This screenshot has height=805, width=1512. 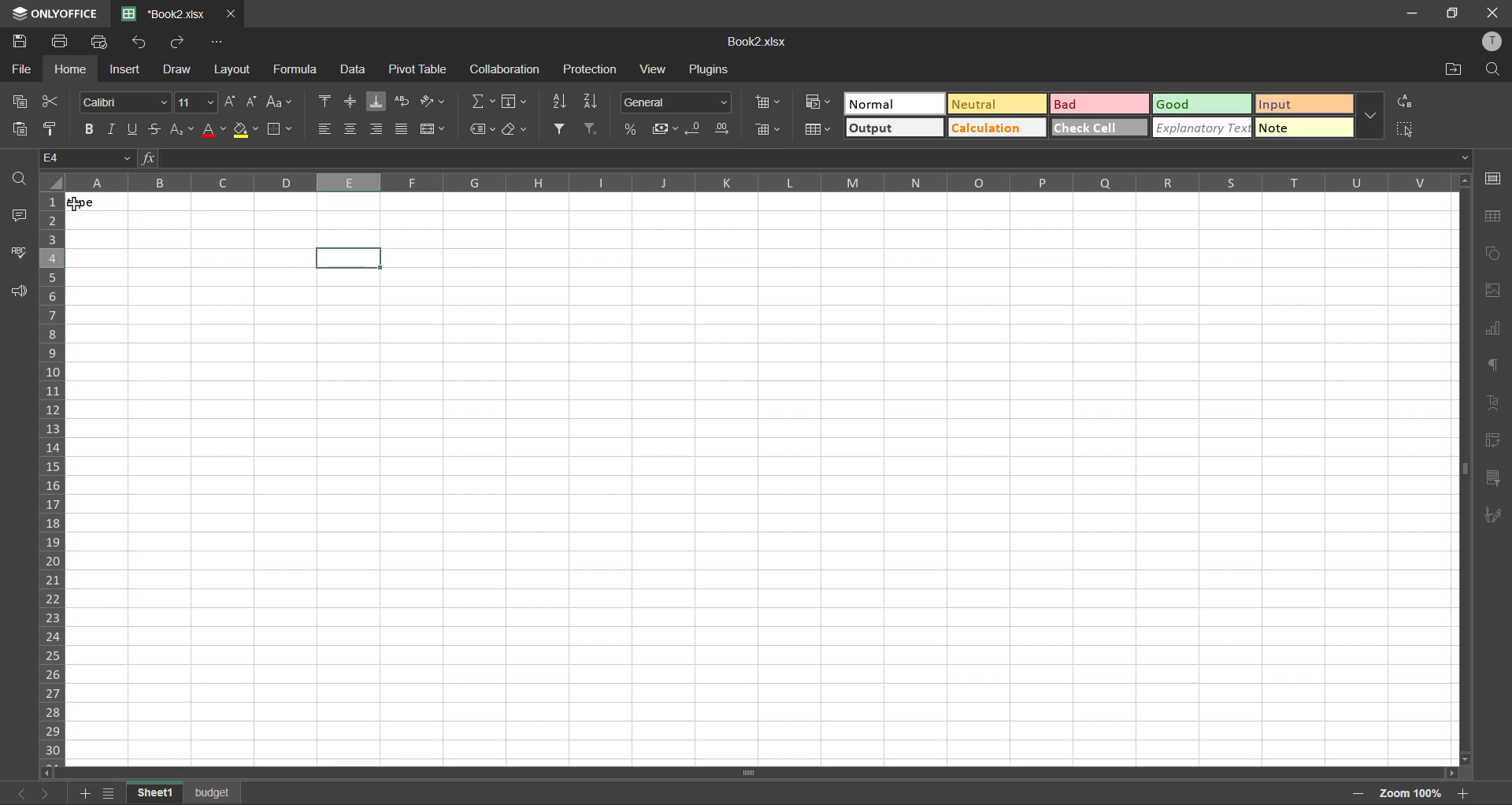 What do you see at coordinates (1452, 12) in the screenshot?
I see `maximize` at bounding box center [1452, 12].